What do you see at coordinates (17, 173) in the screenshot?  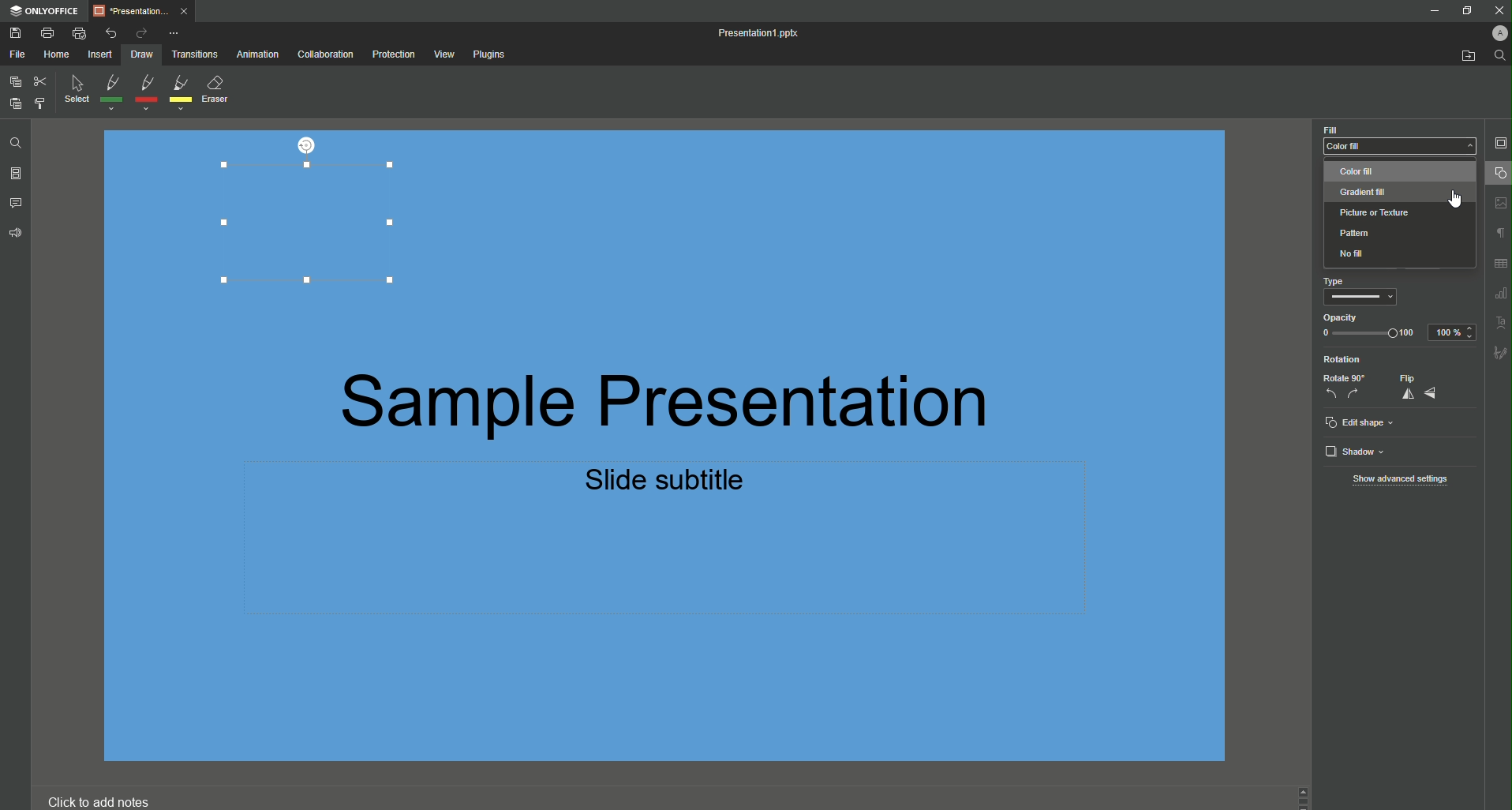 I see `Slides` at bounding box center [17, 173].